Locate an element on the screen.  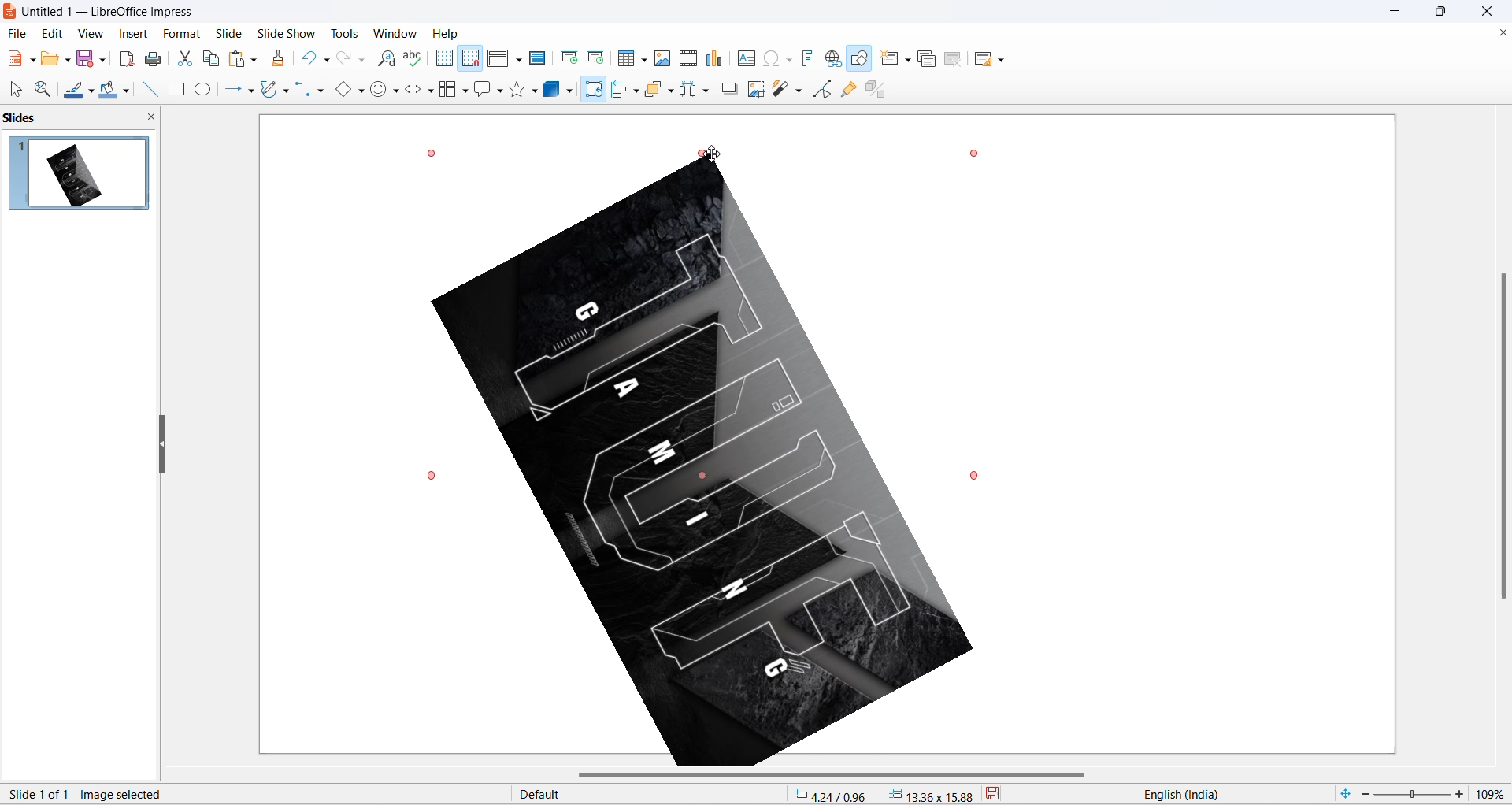
basic shapes is located at coordinates (339, 91).